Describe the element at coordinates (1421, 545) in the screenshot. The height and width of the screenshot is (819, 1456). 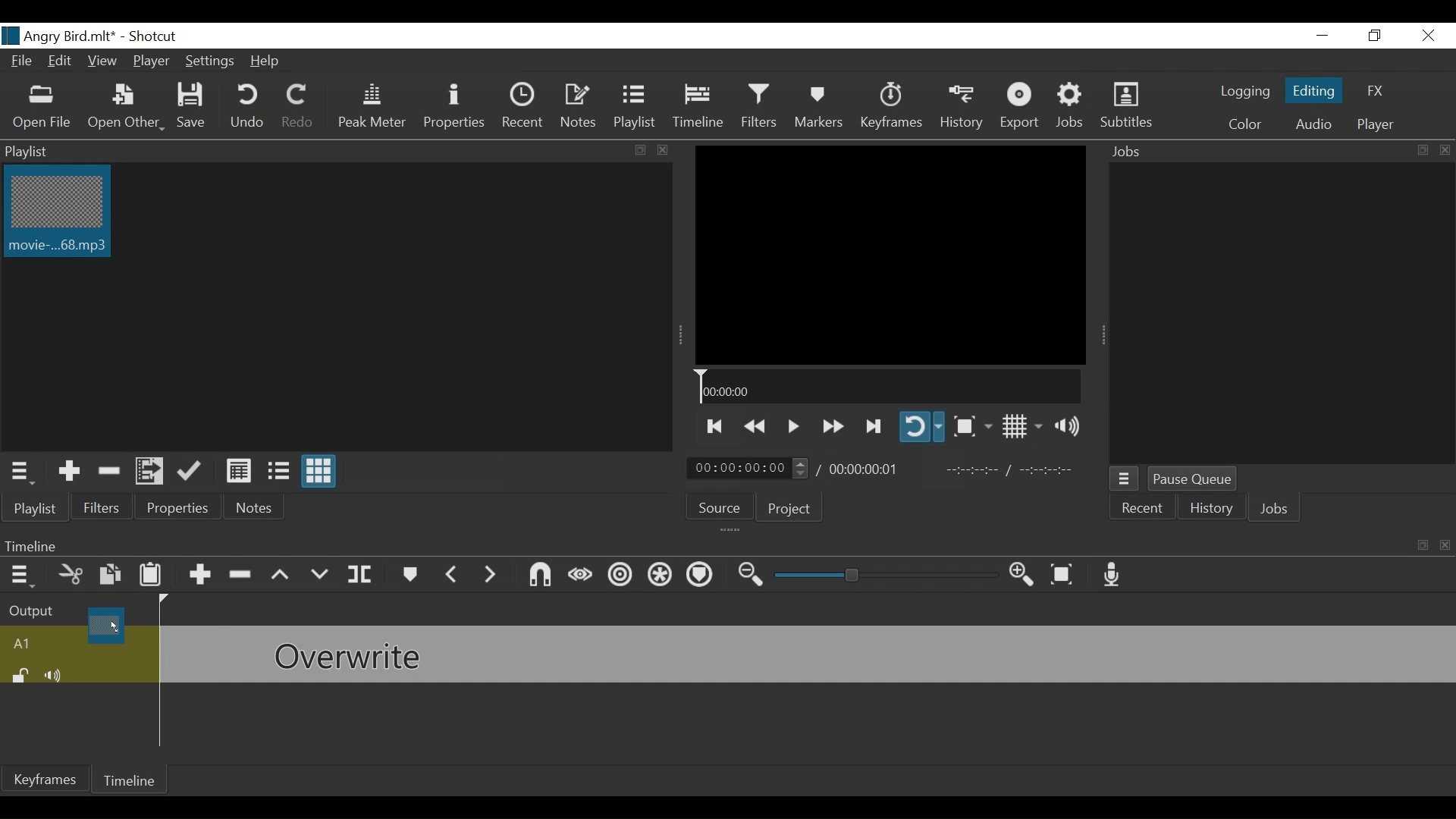
I see `resize` at that location.